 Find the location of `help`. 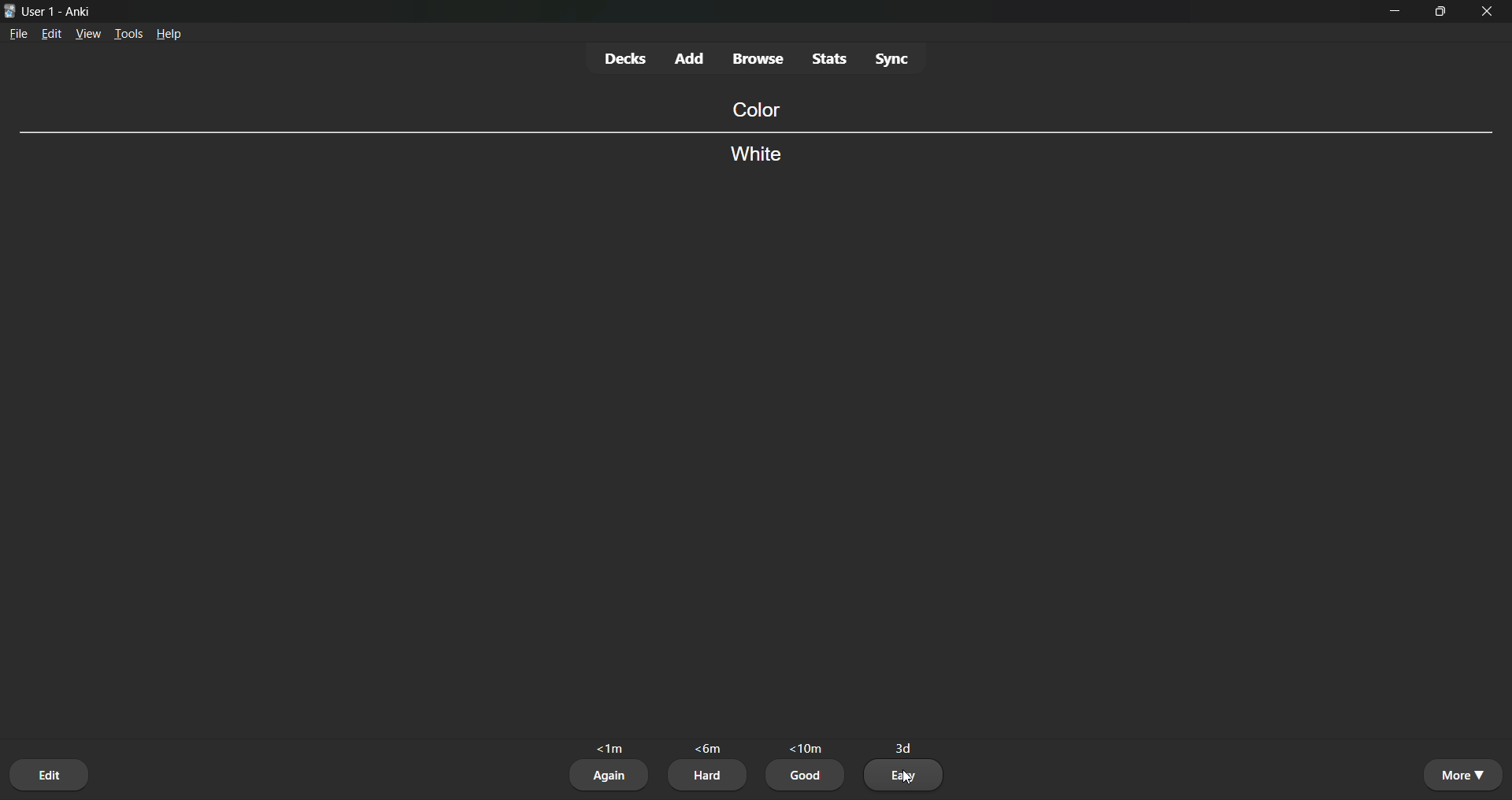

help is located at coordinates (172, 35).